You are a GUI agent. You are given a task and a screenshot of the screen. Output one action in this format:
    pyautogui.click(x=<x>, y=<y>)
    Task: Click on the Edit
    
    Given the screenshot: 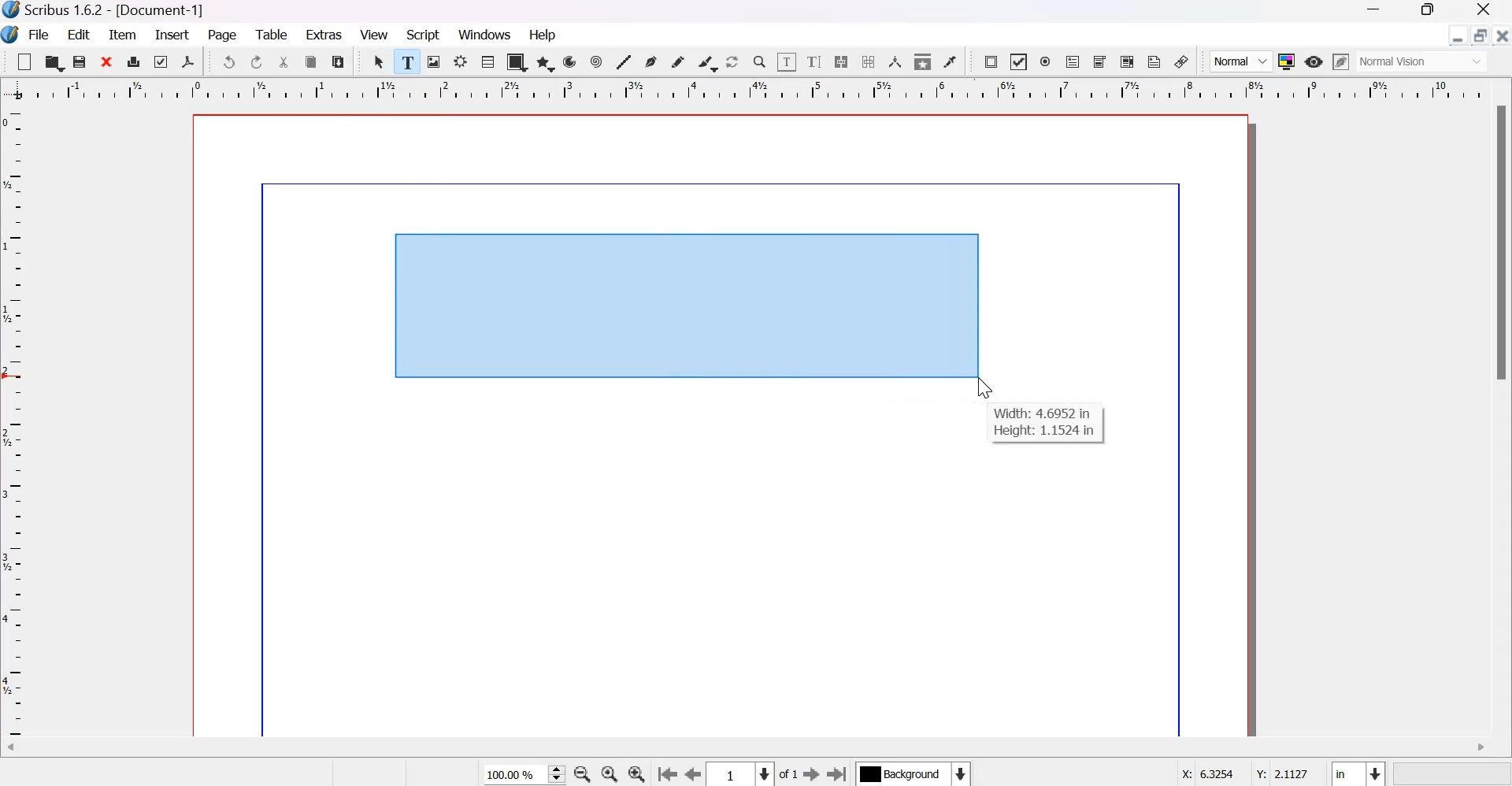 What is the action you would take?
    pyautogui.click(x=80, y=34)
    